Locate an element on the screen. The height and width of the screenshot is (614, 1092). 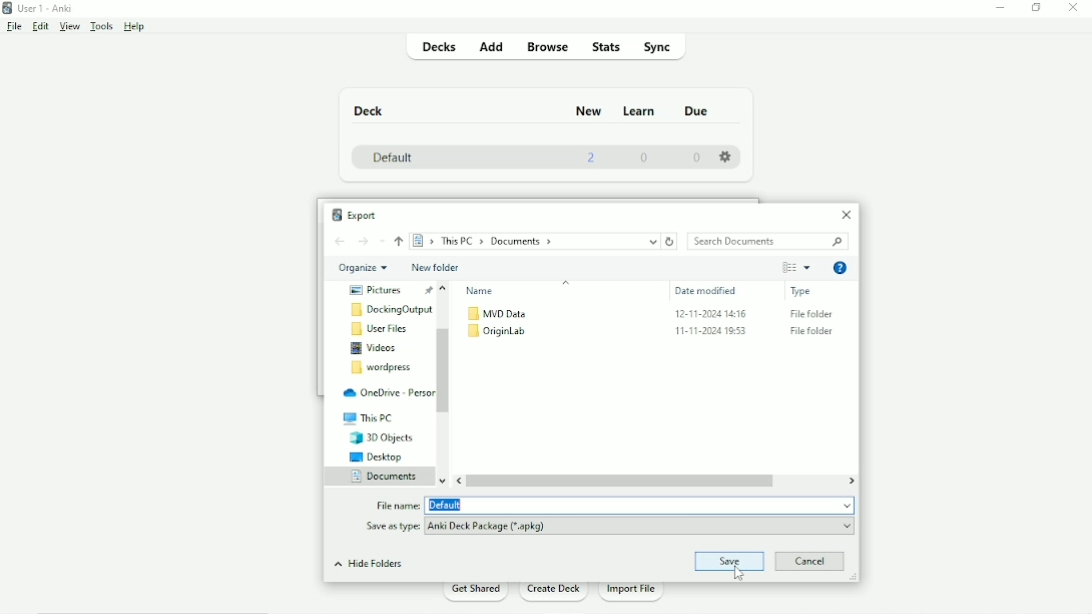
Add is located at coordinates (492, 46).